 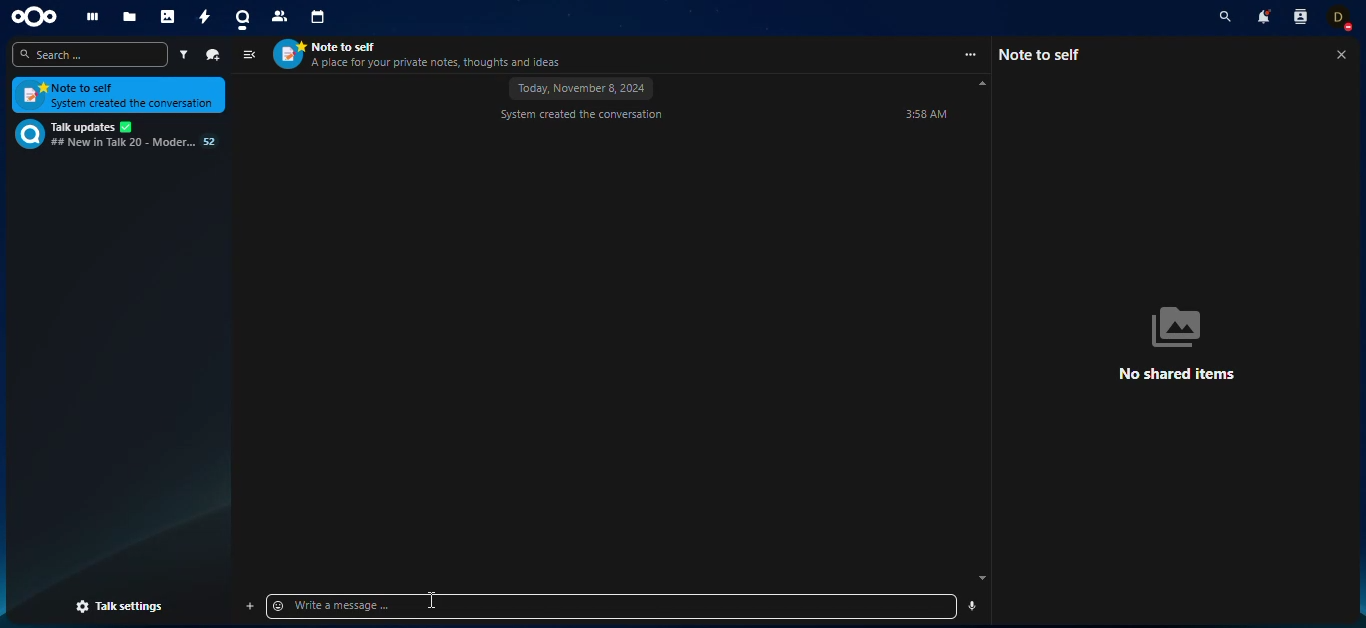 I want to click on time, so click(x=924, y=115).